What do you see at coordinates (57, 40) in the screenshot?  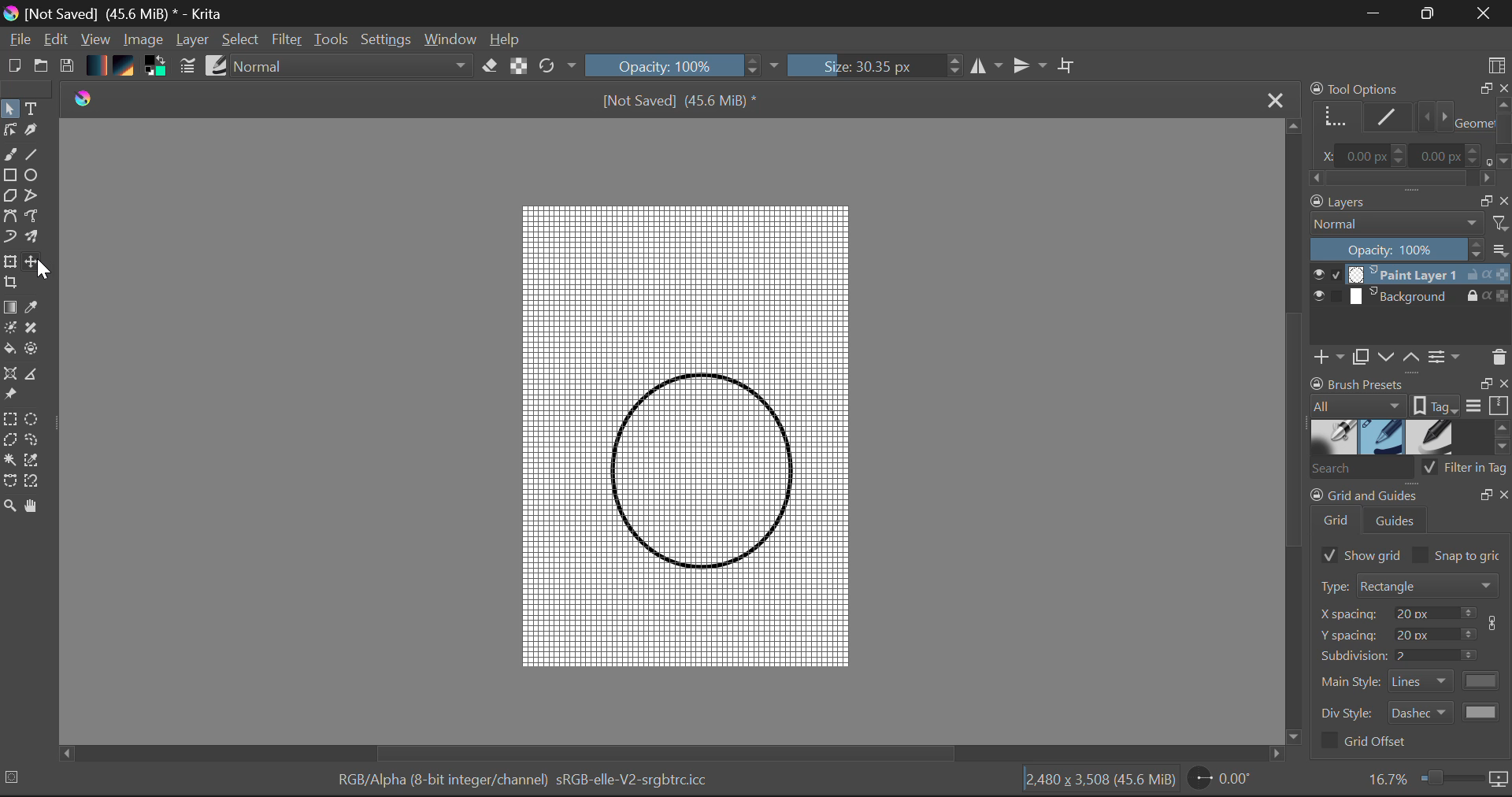 I see `Edit` at bounding box center [57, 40].